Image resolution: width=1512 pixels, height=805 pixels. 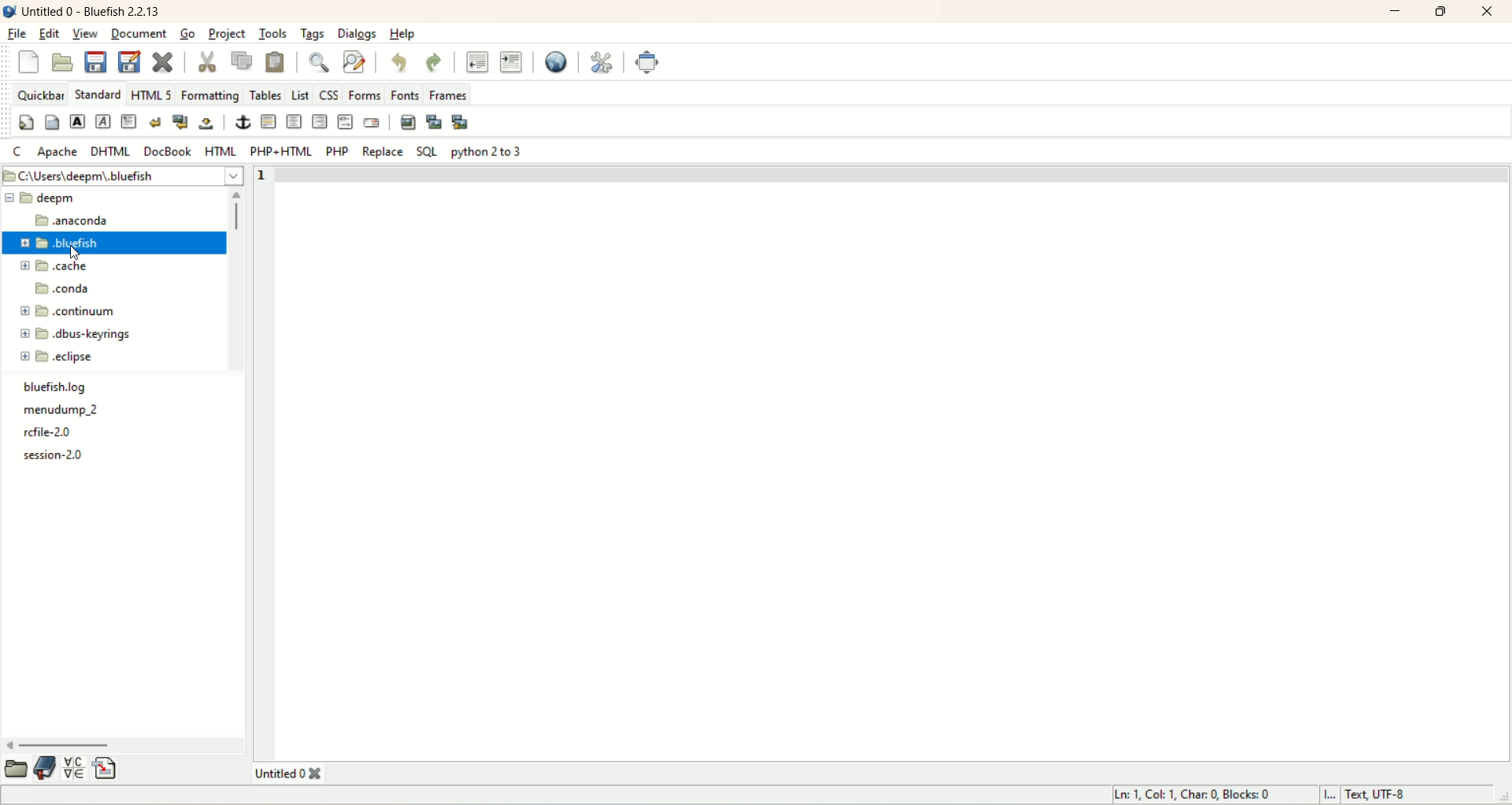 What do you see at coordinates (239, 123) in the screenshot?
I see `anchor/hyperlink` at bounding box center [239, 123].